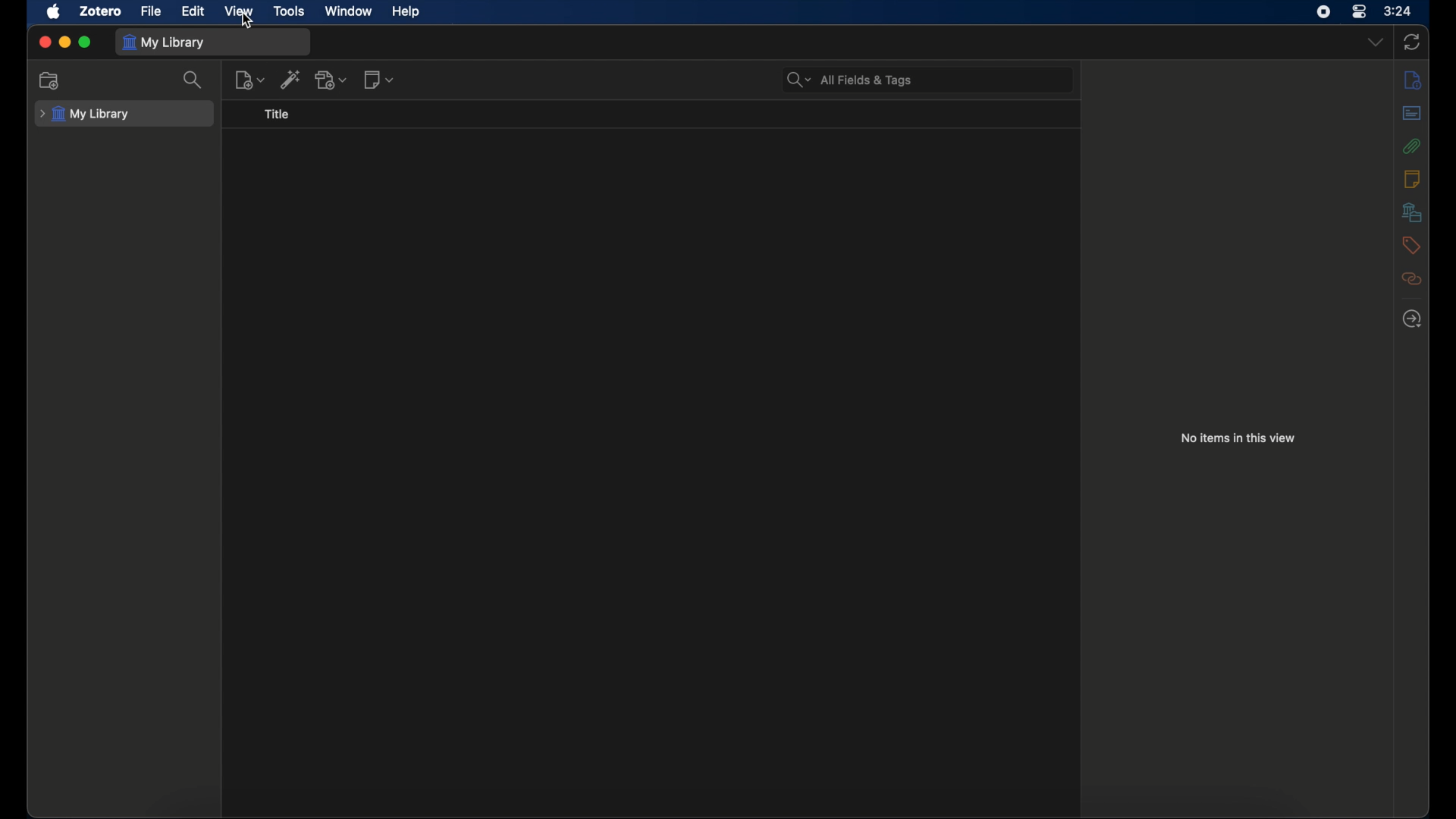  I want to click on dropdown, so click(1376, 42).